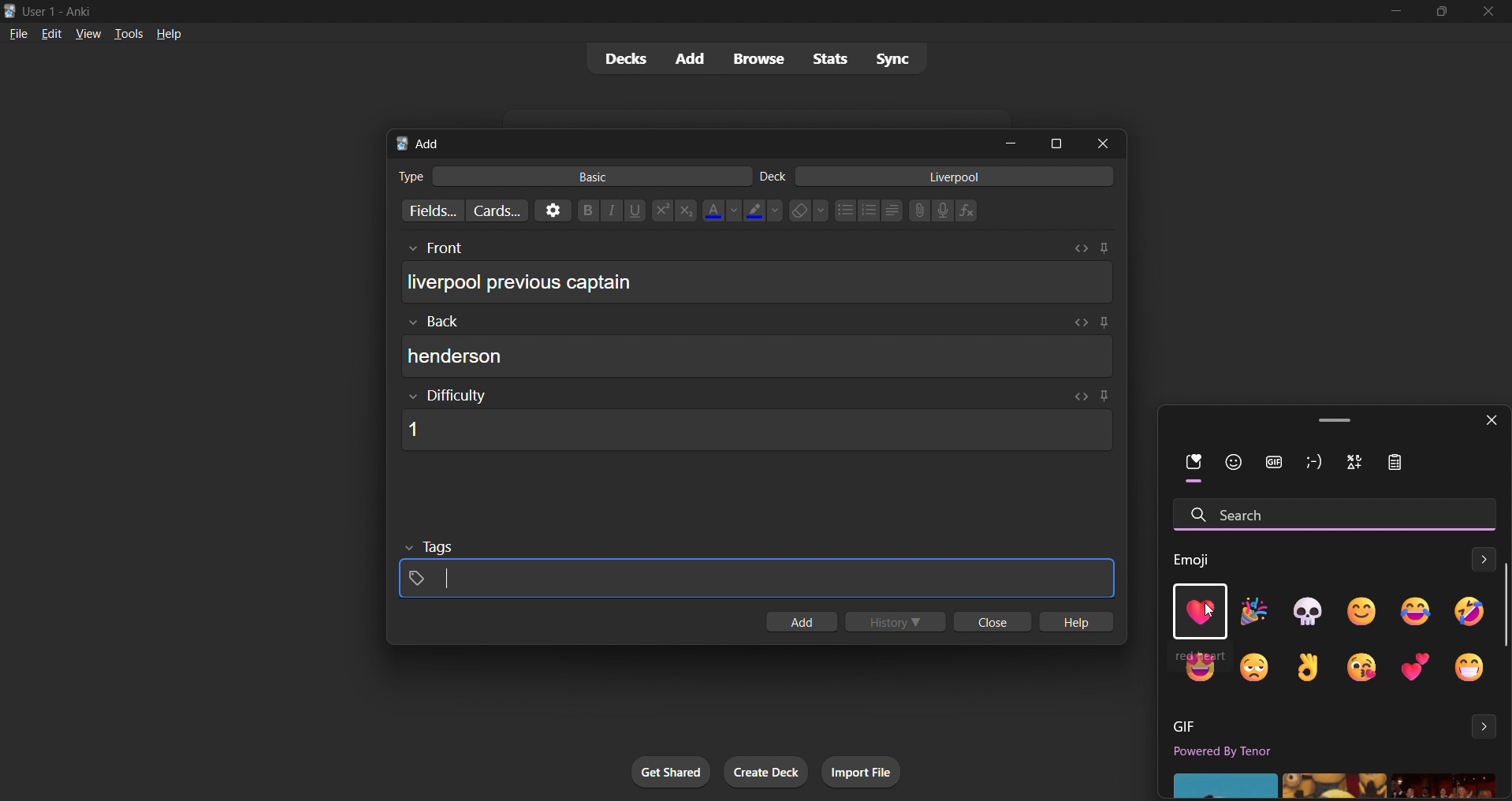 This screenshot has width=1512, height=801. Describe the element at coordinates (565, 173) in the screenshot. I see `card type input box` at that location.